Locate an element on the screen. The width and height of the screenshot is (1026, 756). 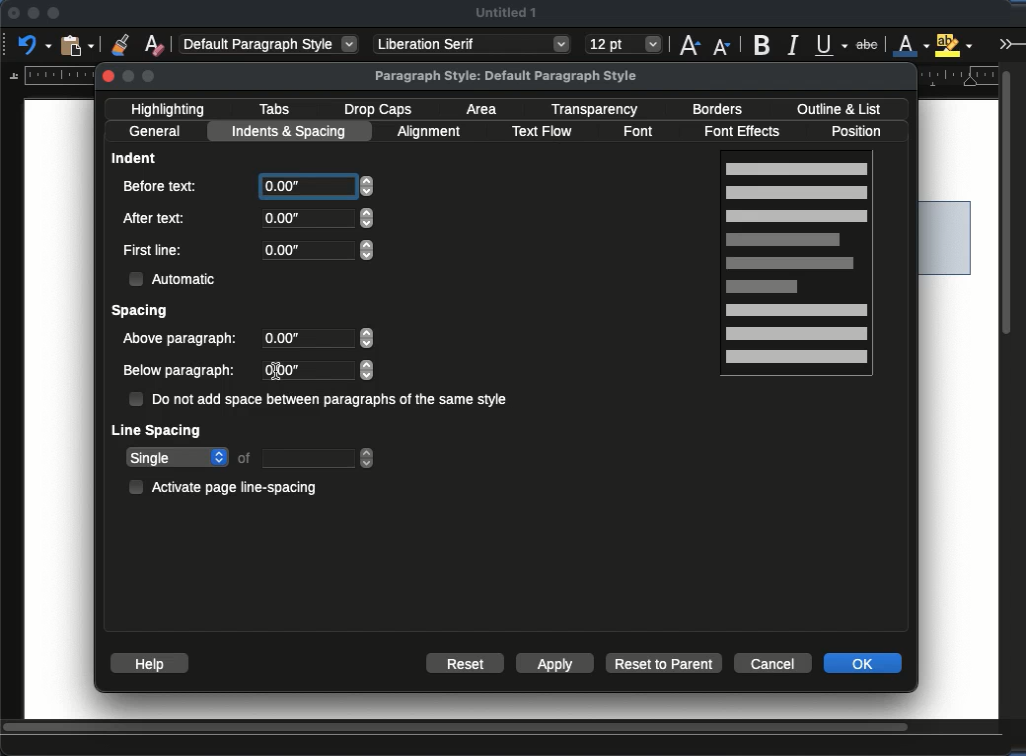
tab is located at coordinates (320, 458).